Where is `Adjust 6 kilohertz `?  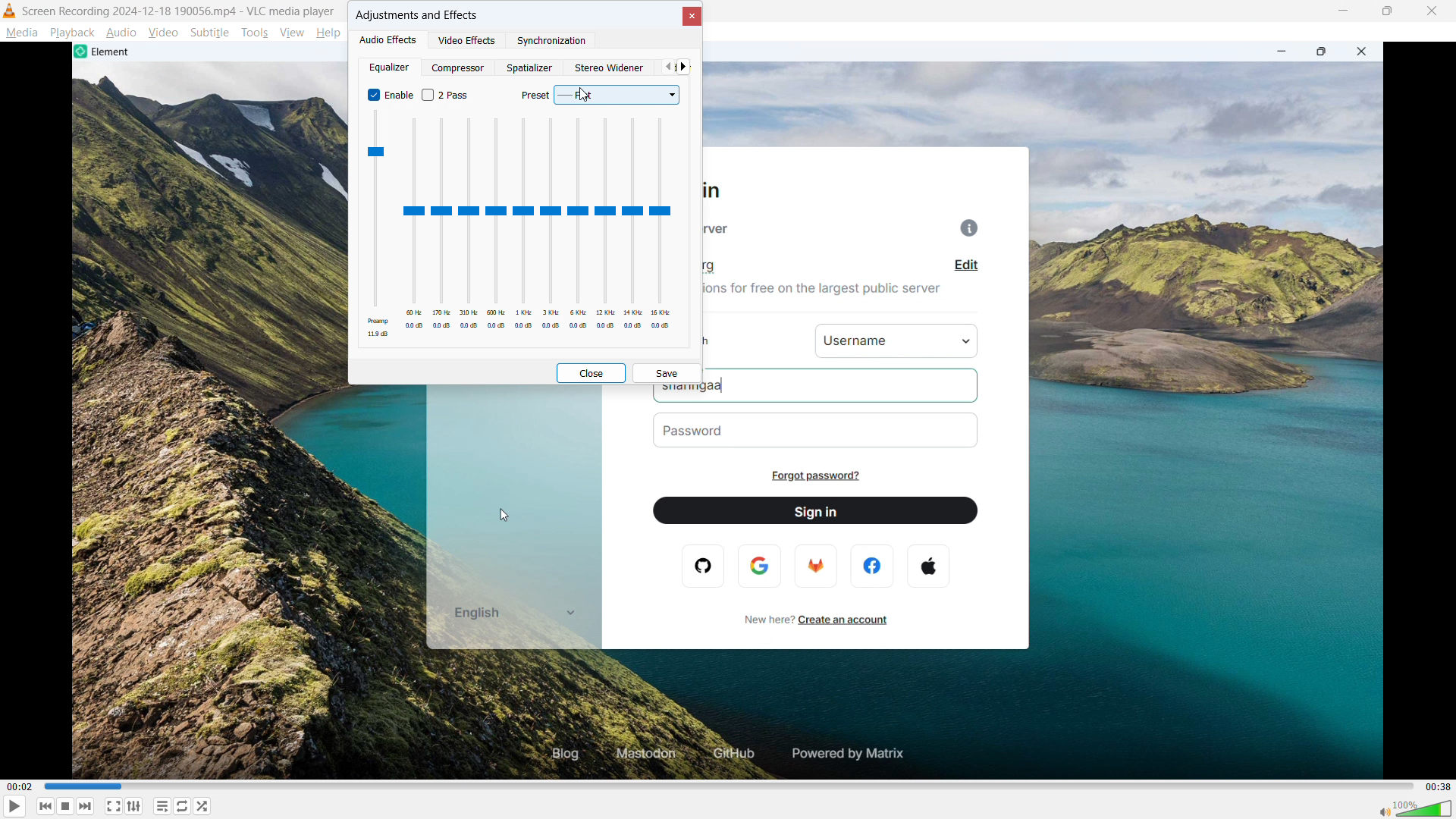
Adjust 6 kilohertz  is located at coordinates (579, 224).